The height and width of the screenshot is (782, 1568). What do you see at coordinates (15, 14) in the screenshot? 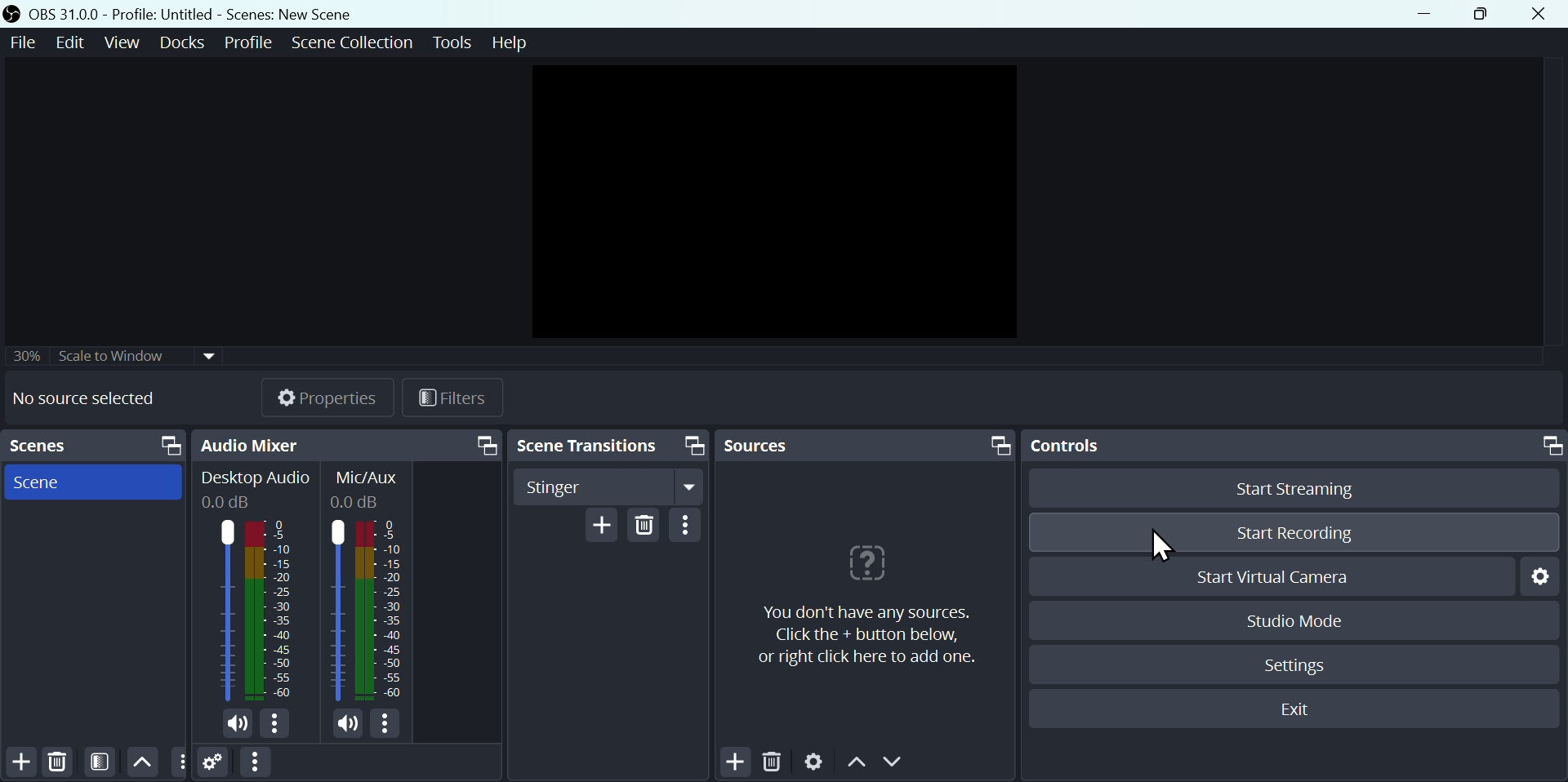
I see `icon` at bounding box center [15, 14].